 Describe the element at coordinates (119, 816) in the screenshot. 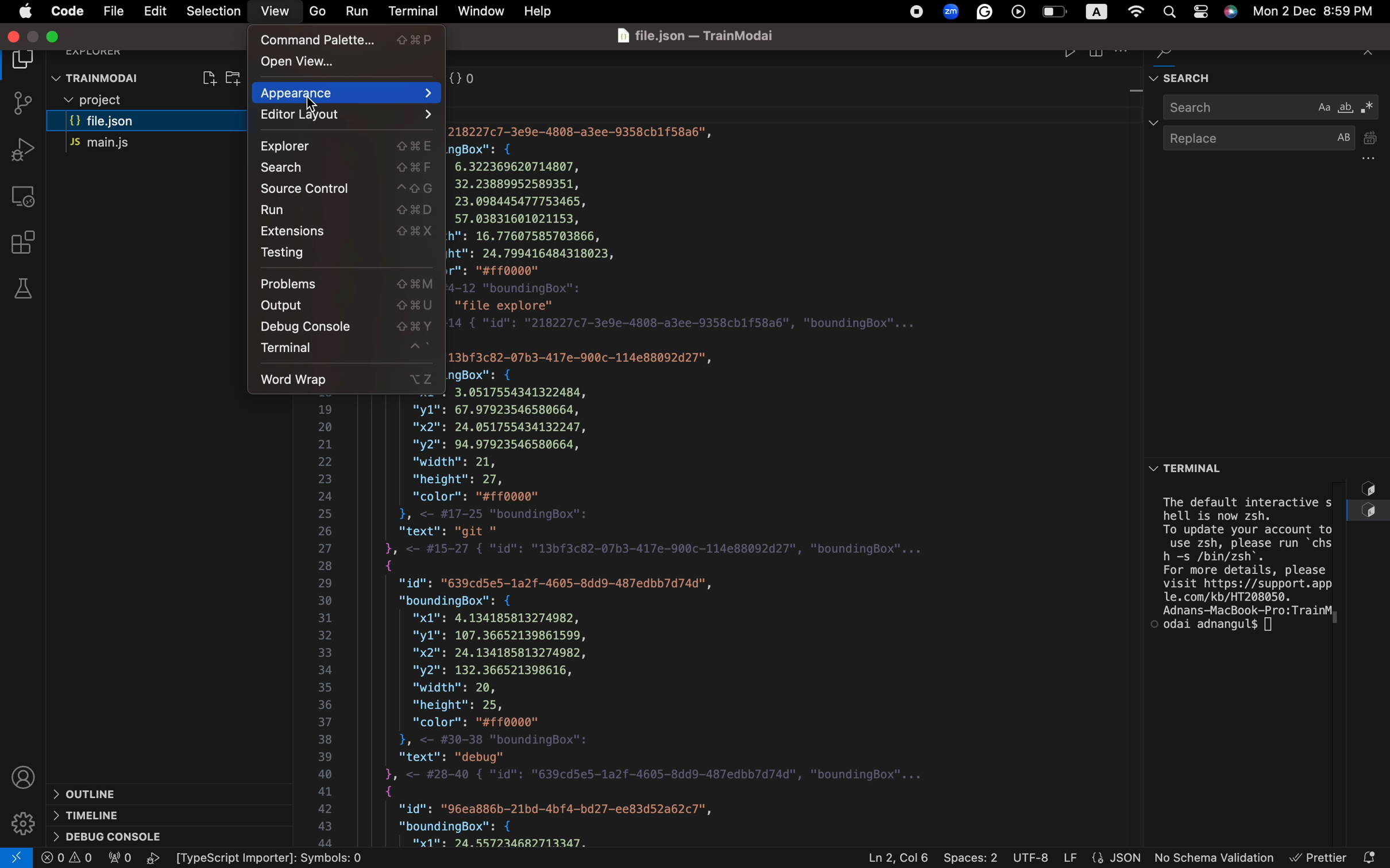

I see `timeline` at that location.